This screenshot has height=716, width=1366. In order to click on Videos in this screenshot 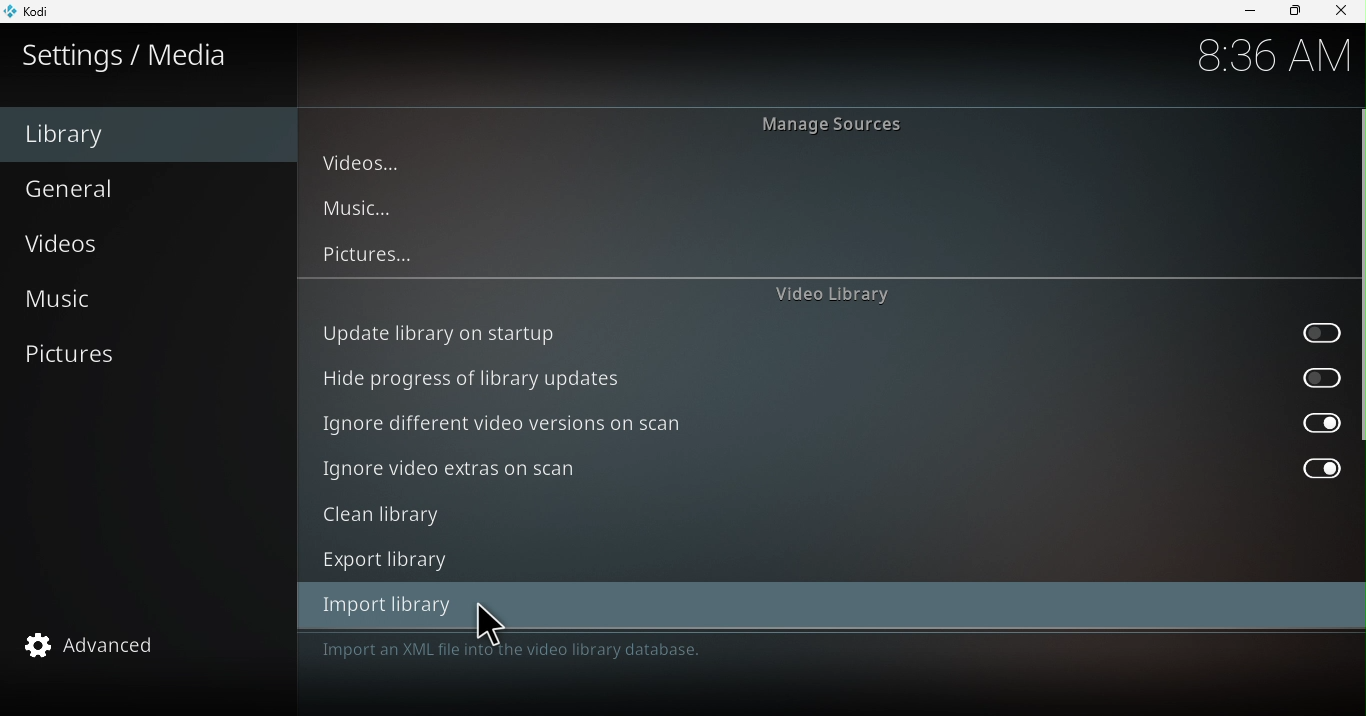, I will do `click(373, 166)`.